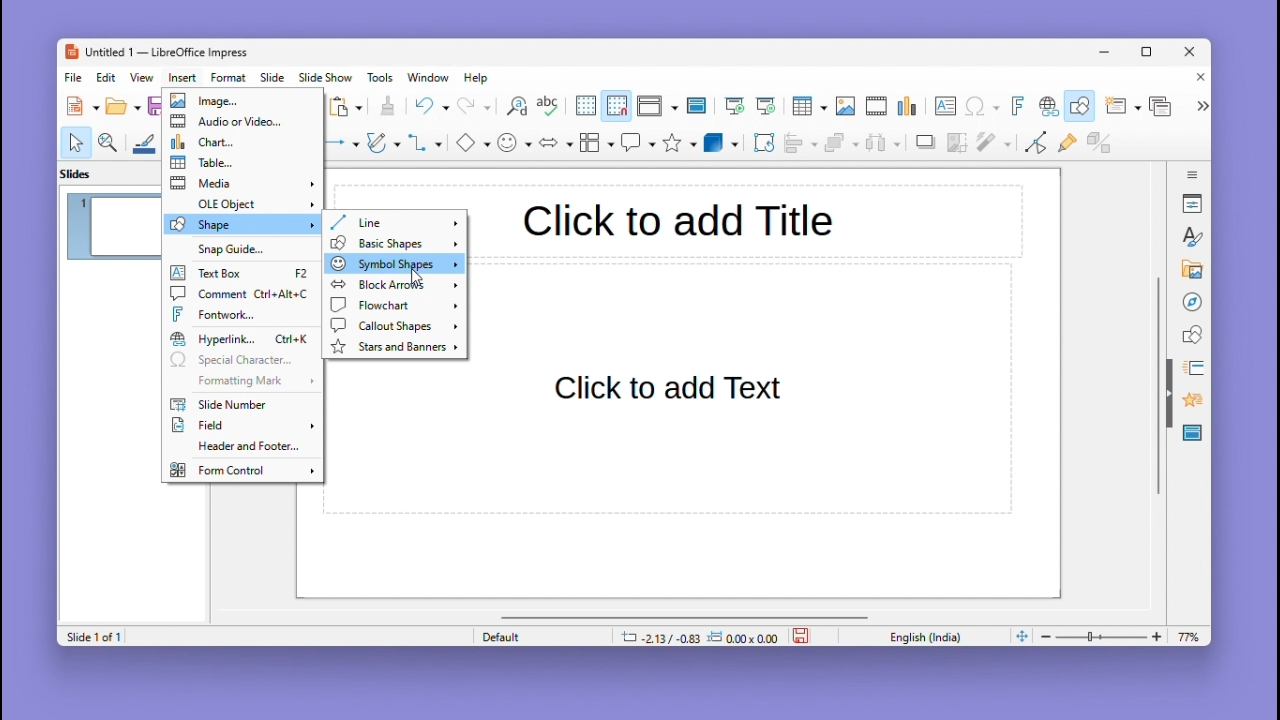 The height and width of the screenshot is (720, 1280). Describe the element at coordinates (347, 107) in the screenshot. I see `paste` at that location.